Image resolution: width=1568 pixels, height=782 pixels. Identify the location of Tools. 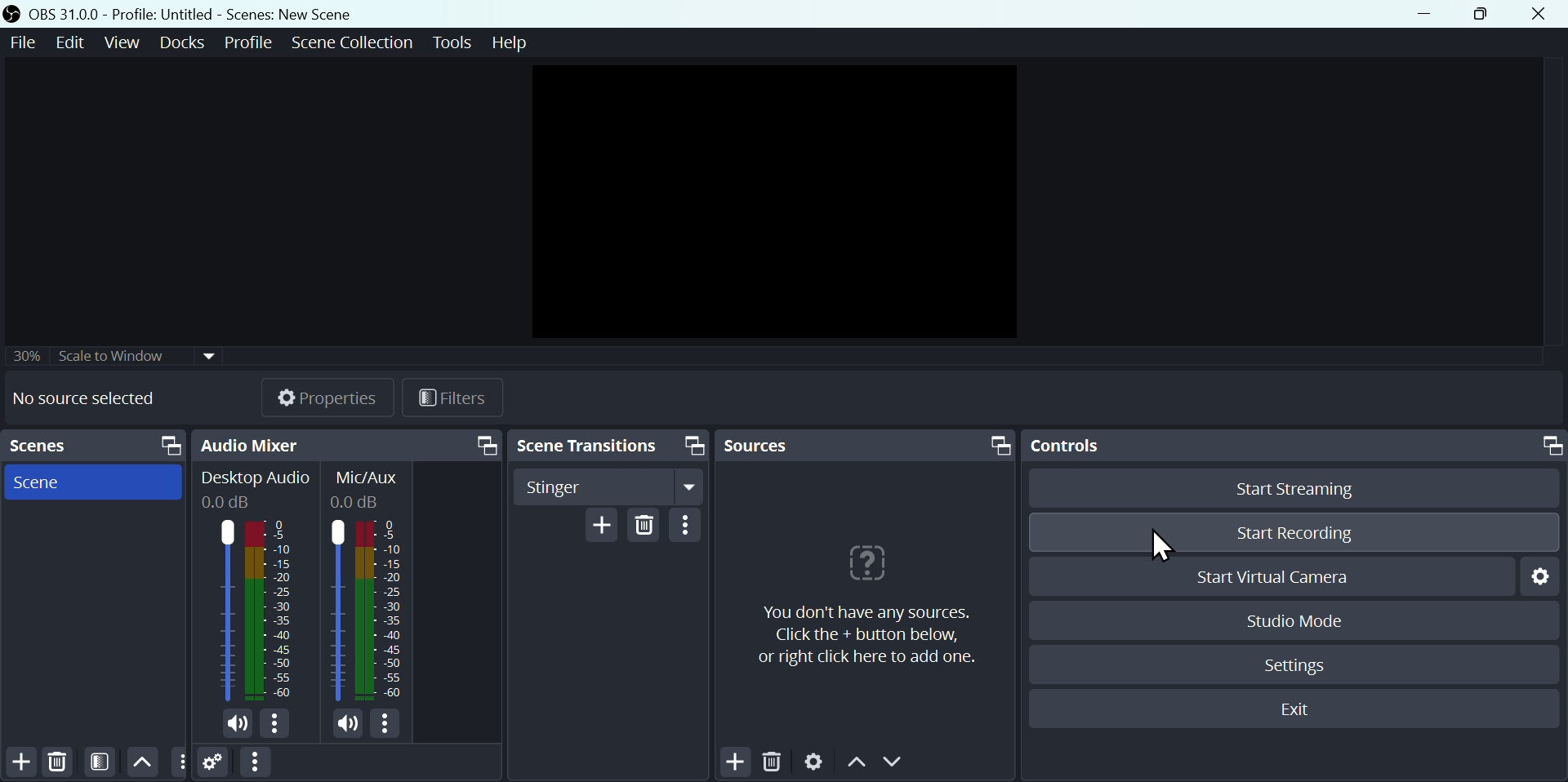
(452, 43).